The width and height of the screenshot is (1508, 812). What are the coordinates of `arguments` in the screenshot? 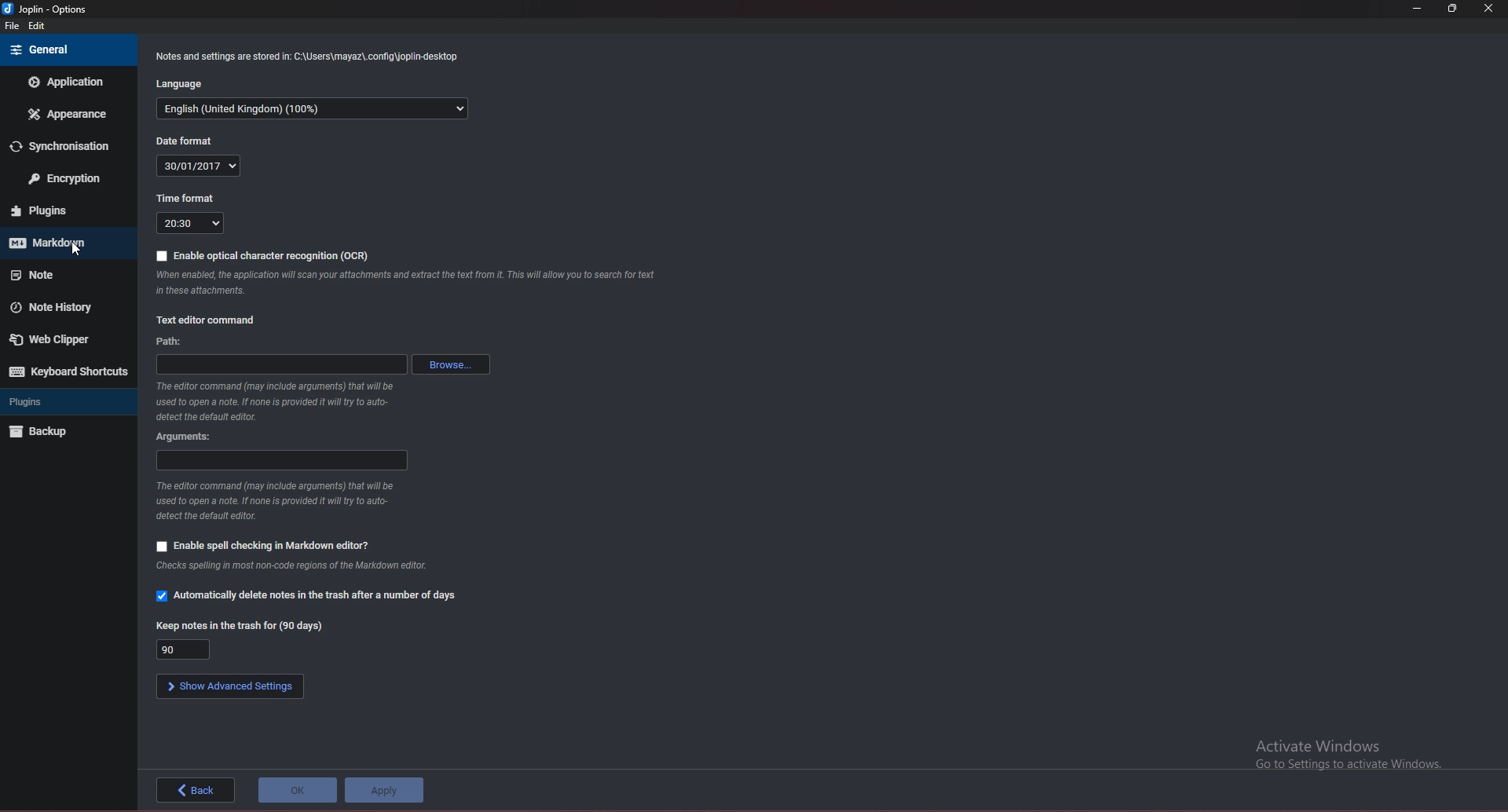 It's located at (280, 459).